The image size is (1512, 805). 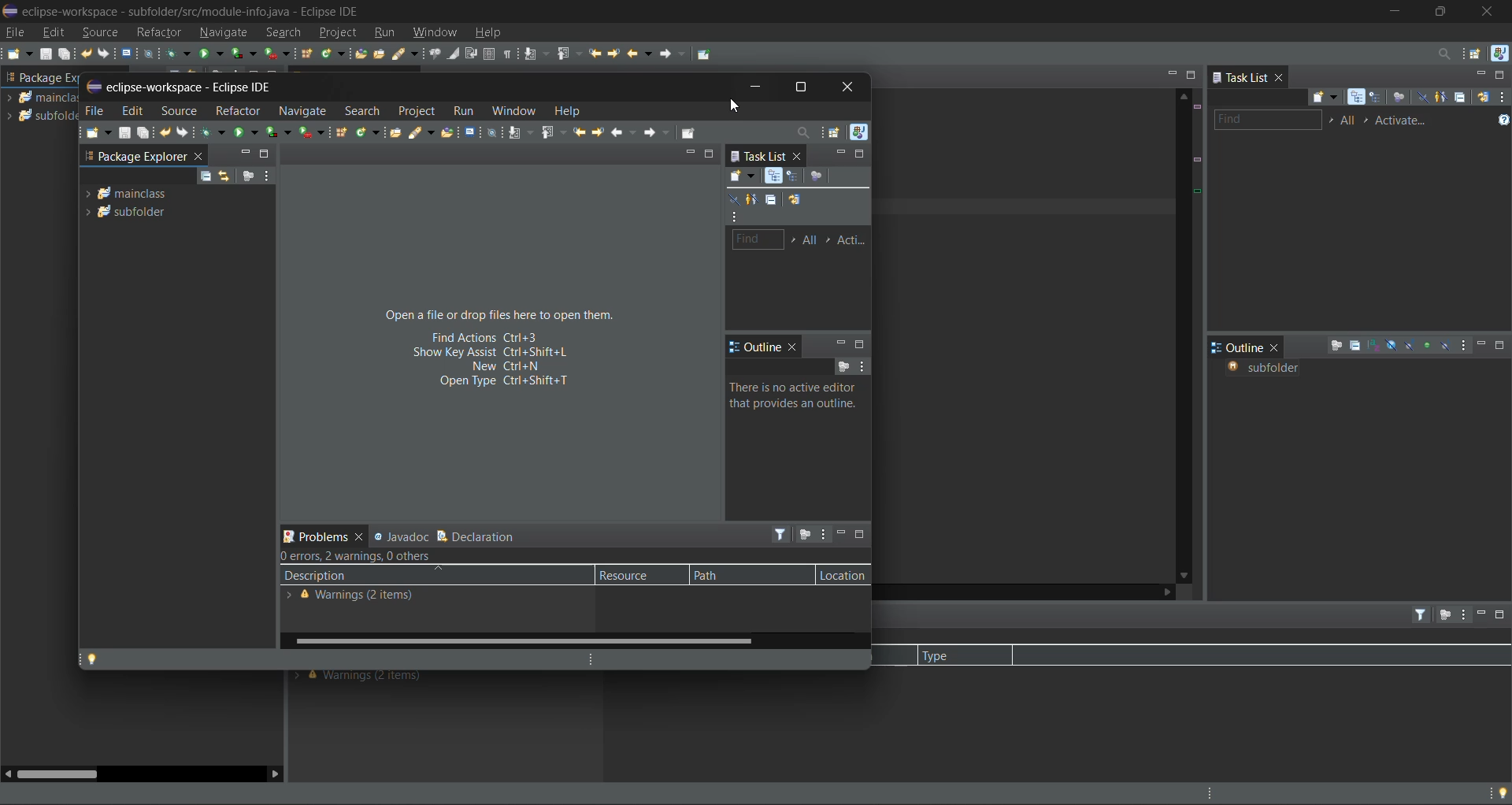 I want to click on edit, so click(x=133, y=110).